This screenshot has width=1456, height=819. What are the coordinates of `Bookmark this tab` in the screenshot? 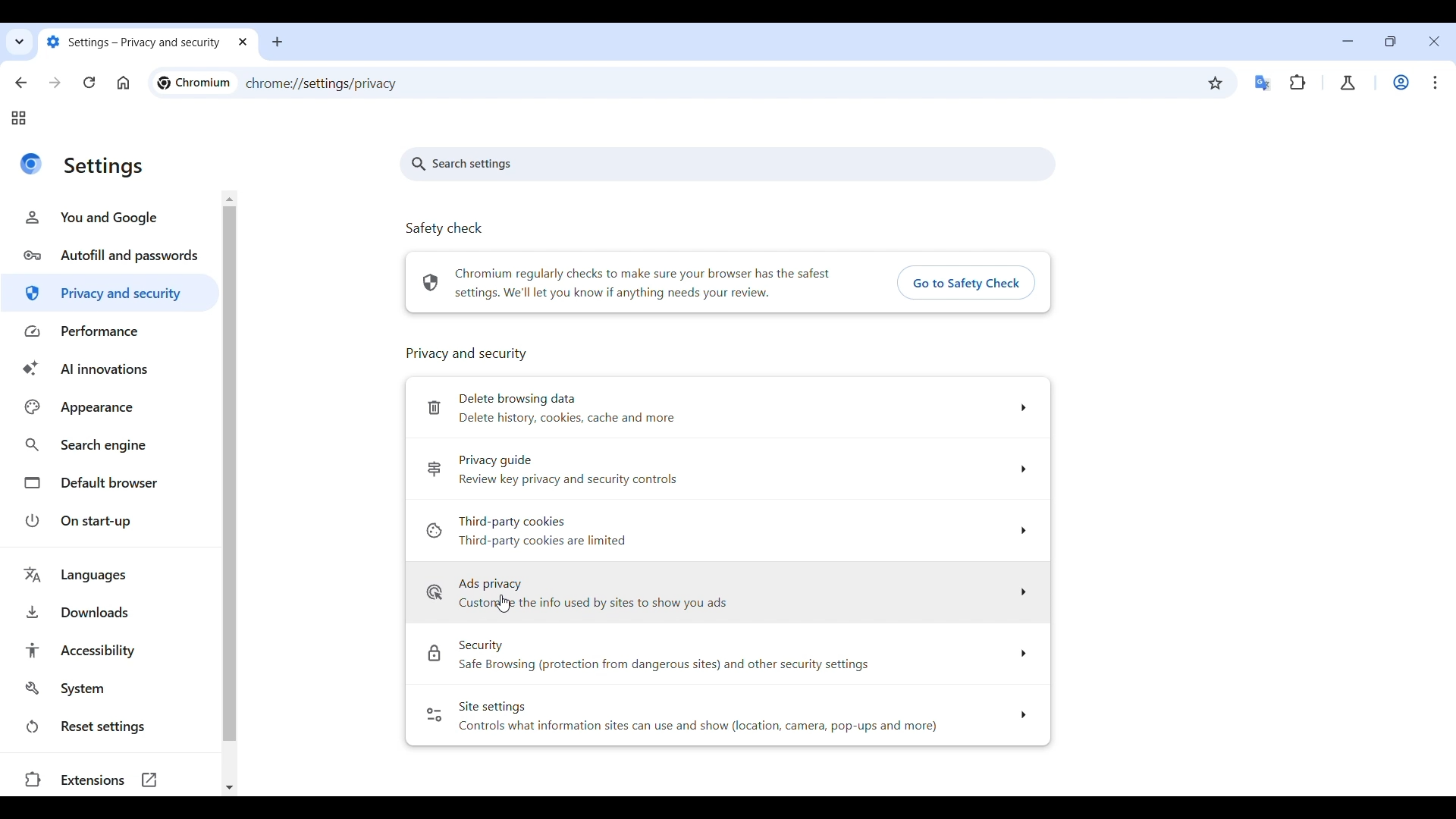 It's located at (1216, 83).